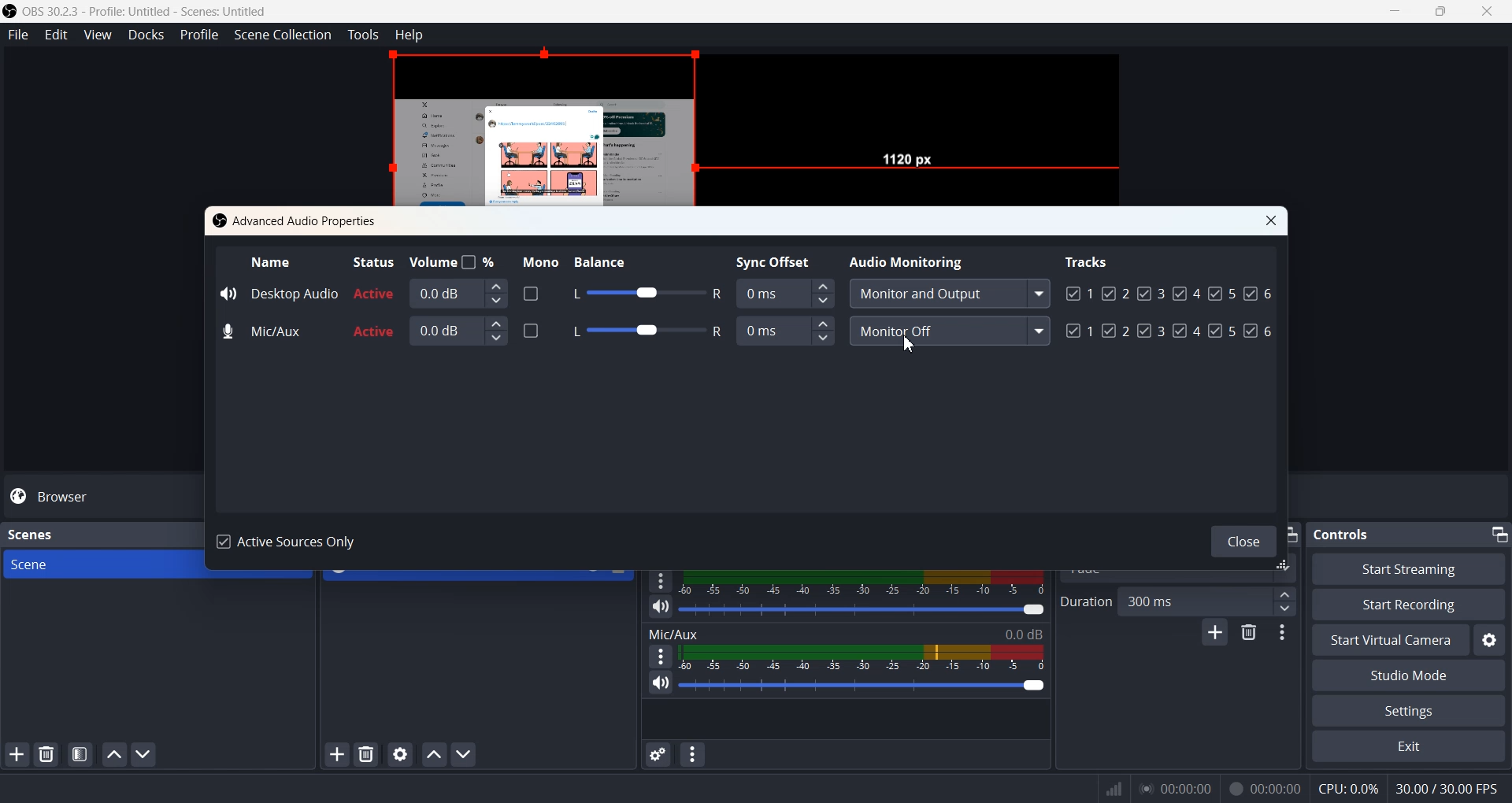 Image resolution: width=1512 pixels, height=803 pixels. Describe the element at coordinates (642, 328) in the screenshot. I see `Balance adjuster` at that location.